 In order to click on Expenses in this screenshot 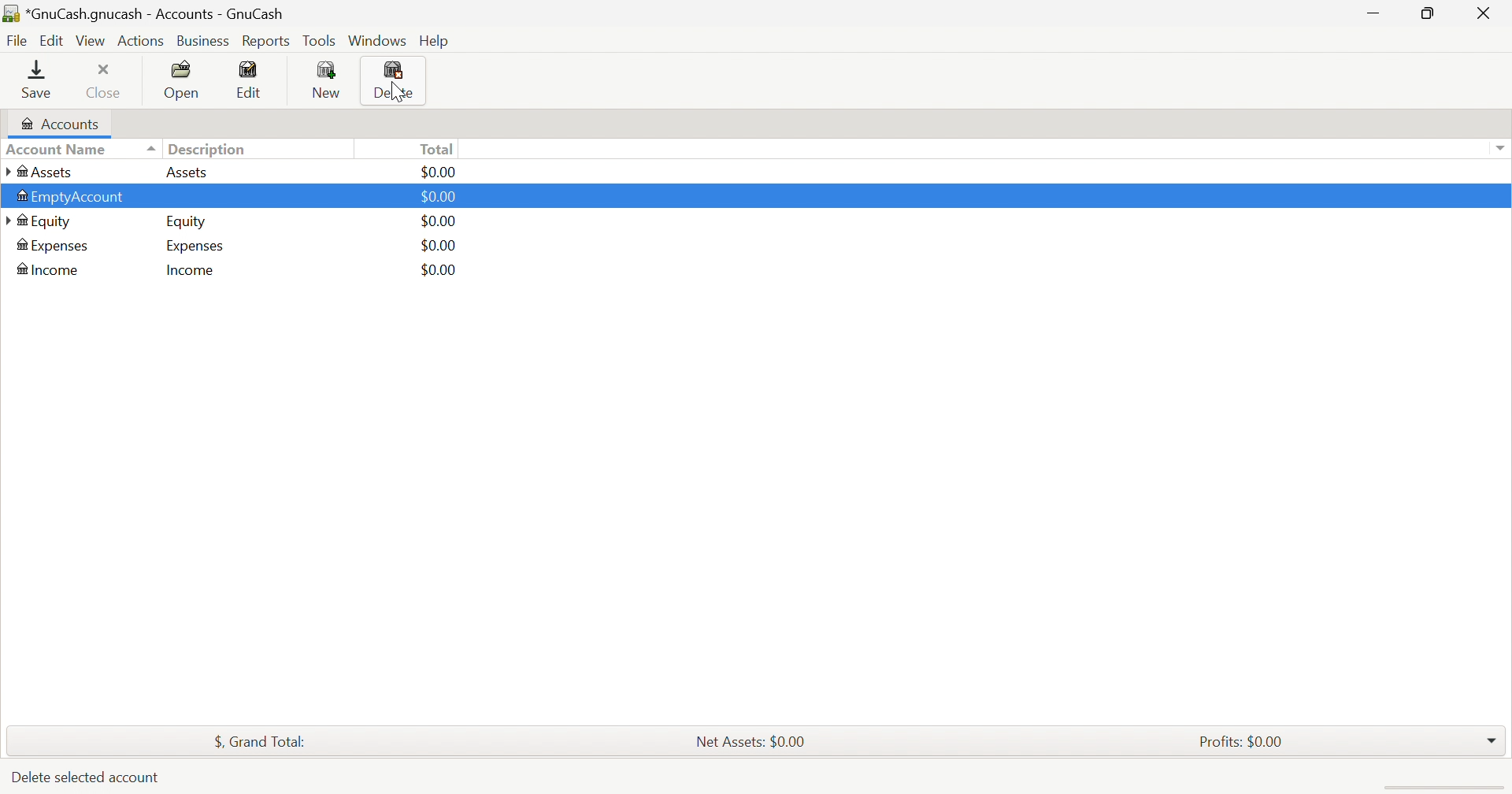, I will do `click(59, 247)`.